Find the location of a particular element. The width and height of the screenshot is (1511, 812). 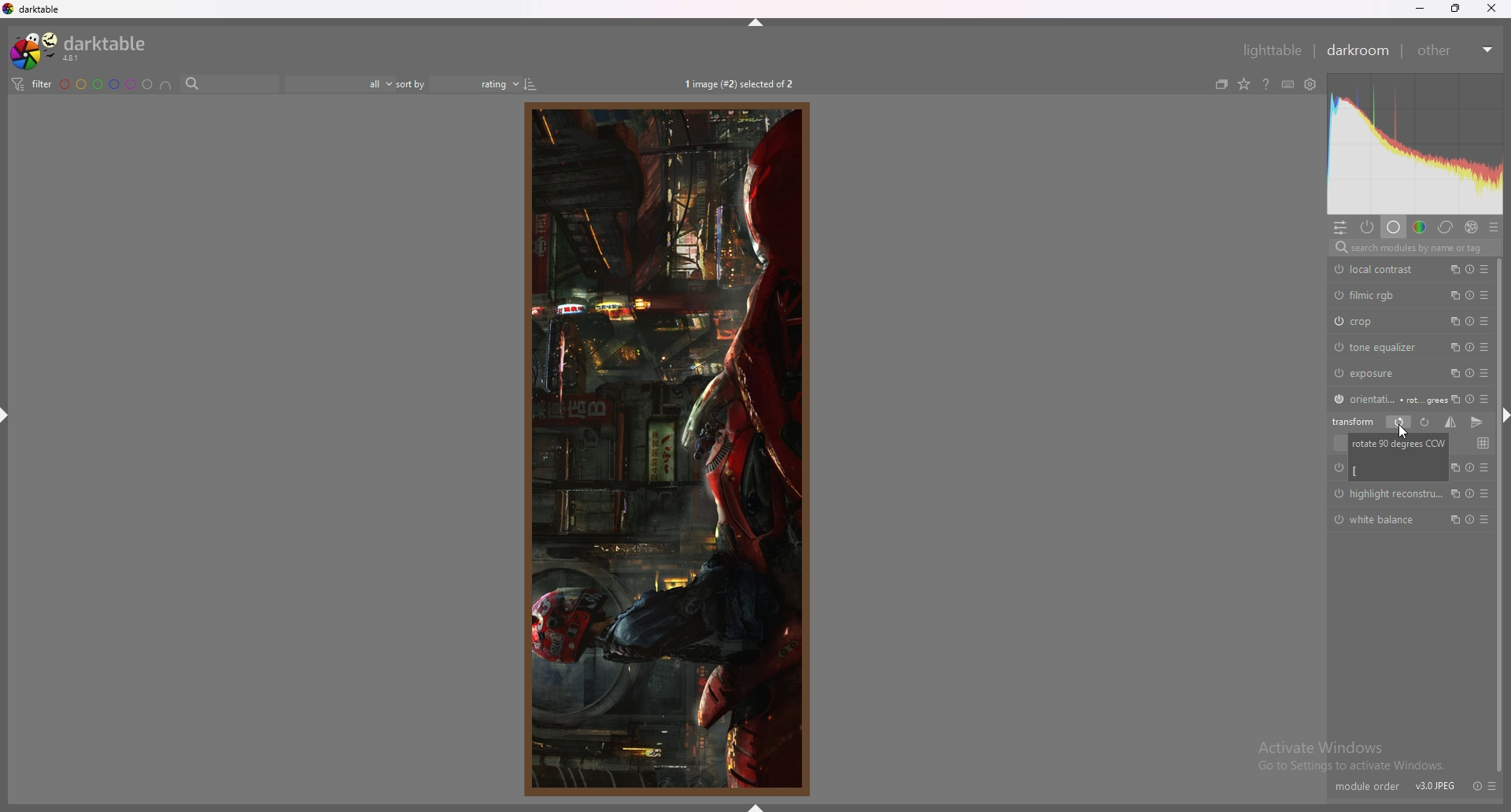

heat map is located at coordinates (1415, 145).